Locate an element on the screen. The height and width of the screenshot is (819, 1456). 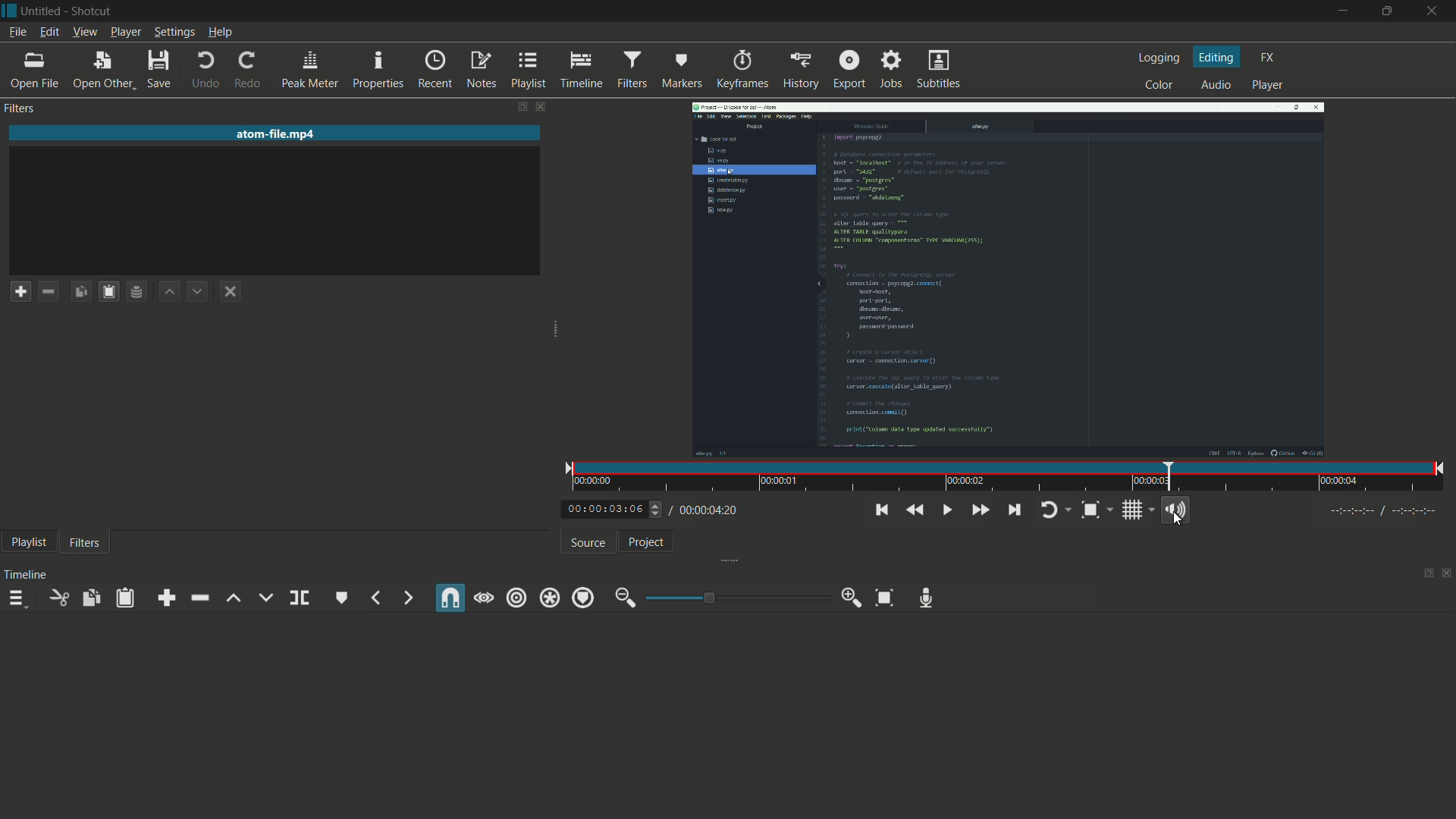
toggle grid is located at coordinates (1134, 510).